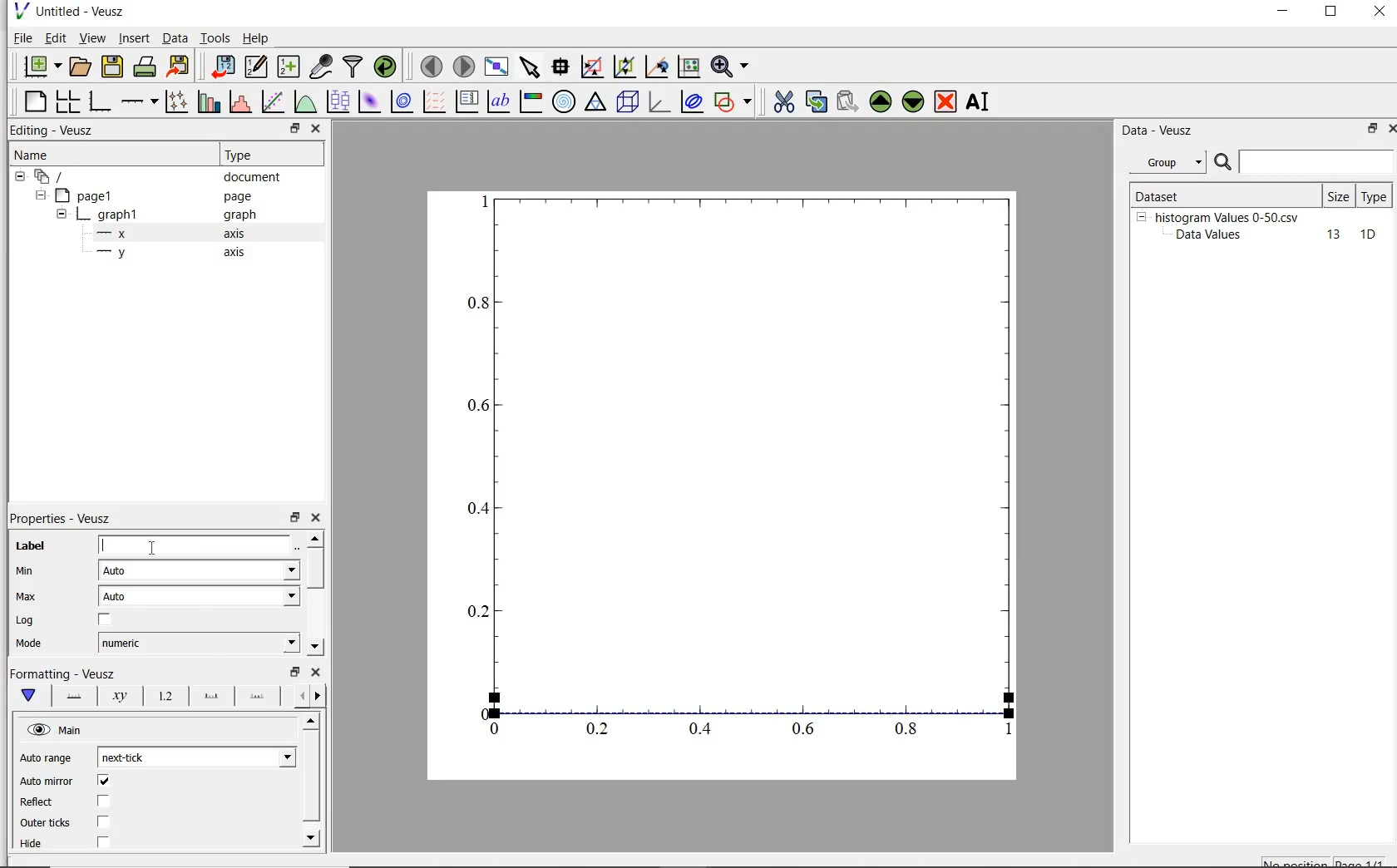 This screenshot has width=1397, height=868. What do you see at coordinates (259, 38) in the screenshot?
I see `help` at bounding box center [259, 38].